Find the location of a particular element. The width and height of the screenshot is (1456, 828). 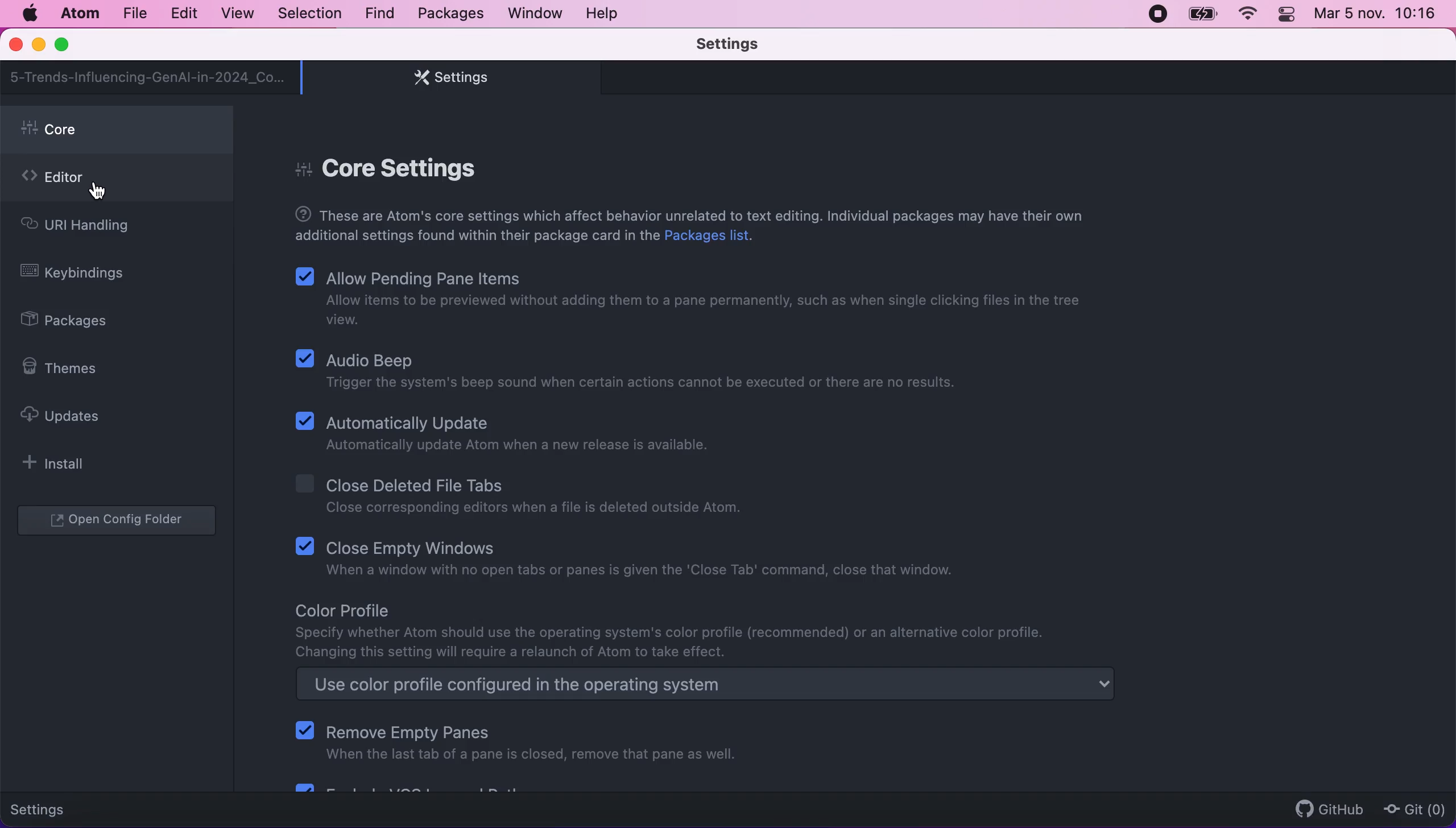

window is located at coordinates (536, 13).